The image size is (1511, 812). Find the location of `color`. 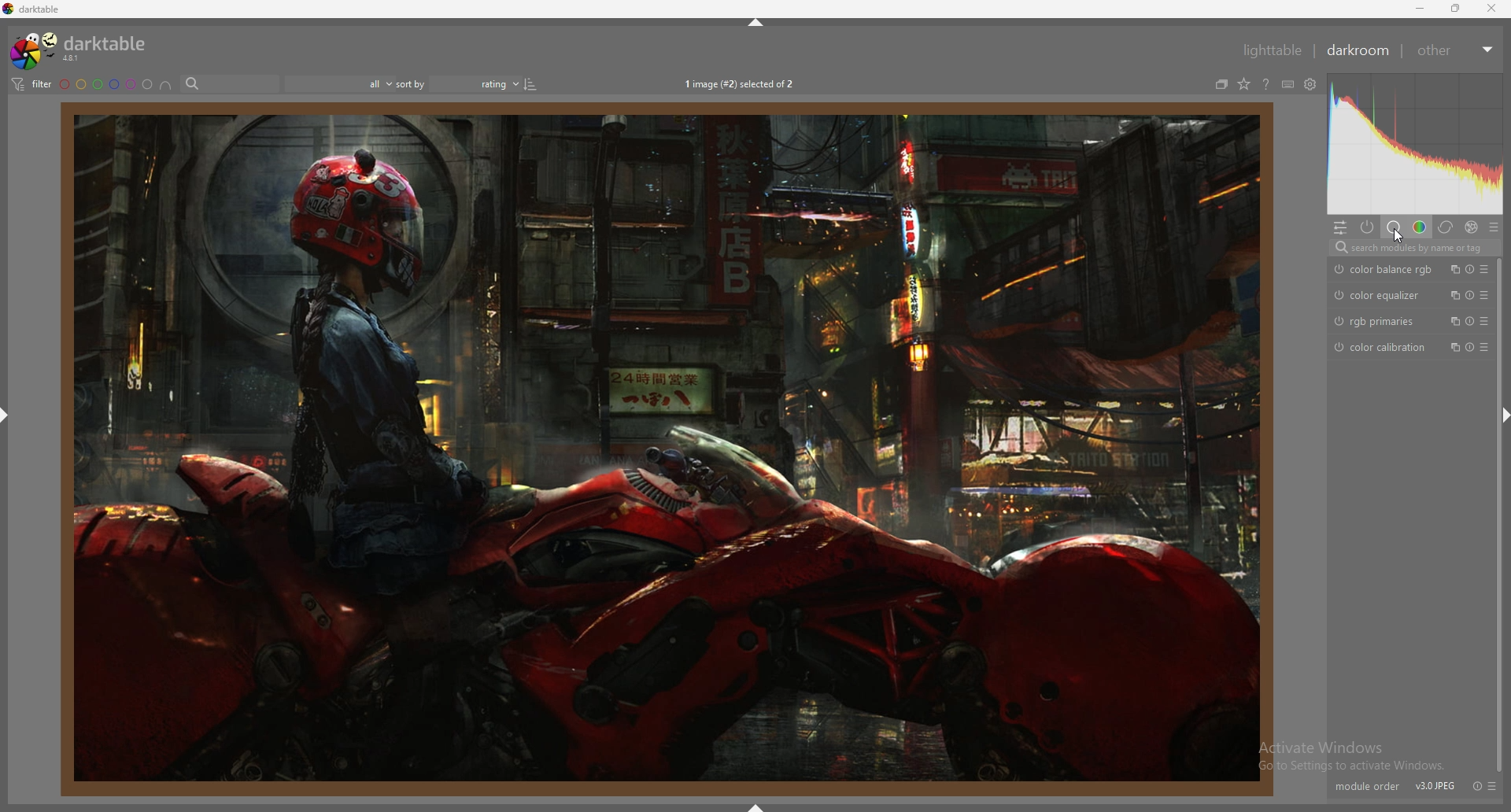

color is located at coordinates (1420, 227).